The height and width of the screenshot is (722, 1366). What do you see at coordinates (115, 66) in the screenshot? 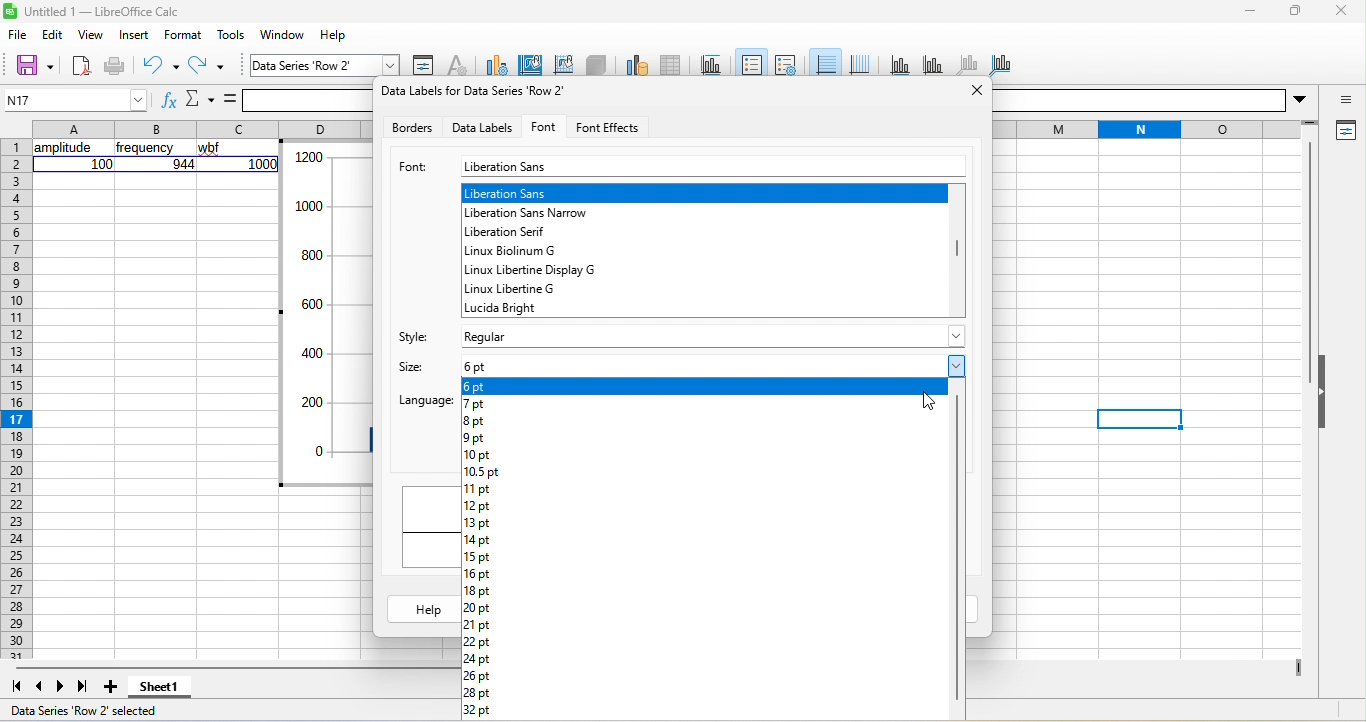
I see `print` at bounding box center [115, 66].